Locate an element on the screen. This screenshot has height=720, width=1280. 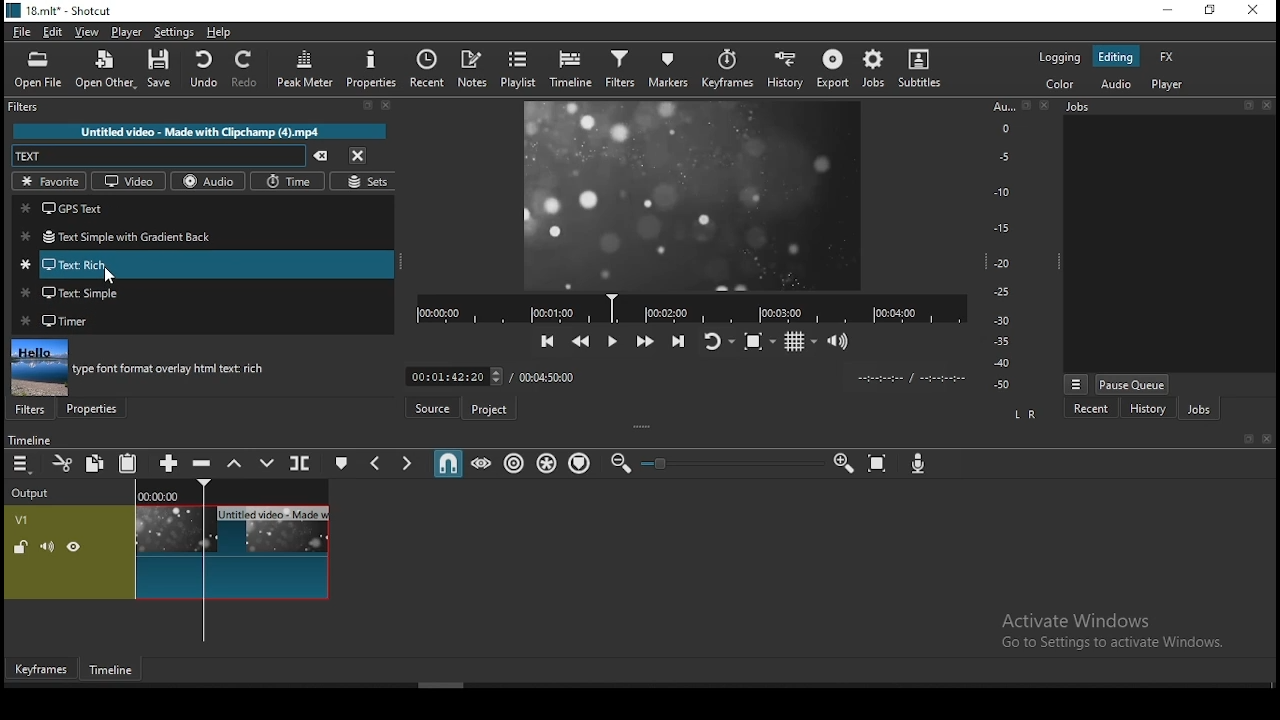
close window is located at coordinates (1255, 10).